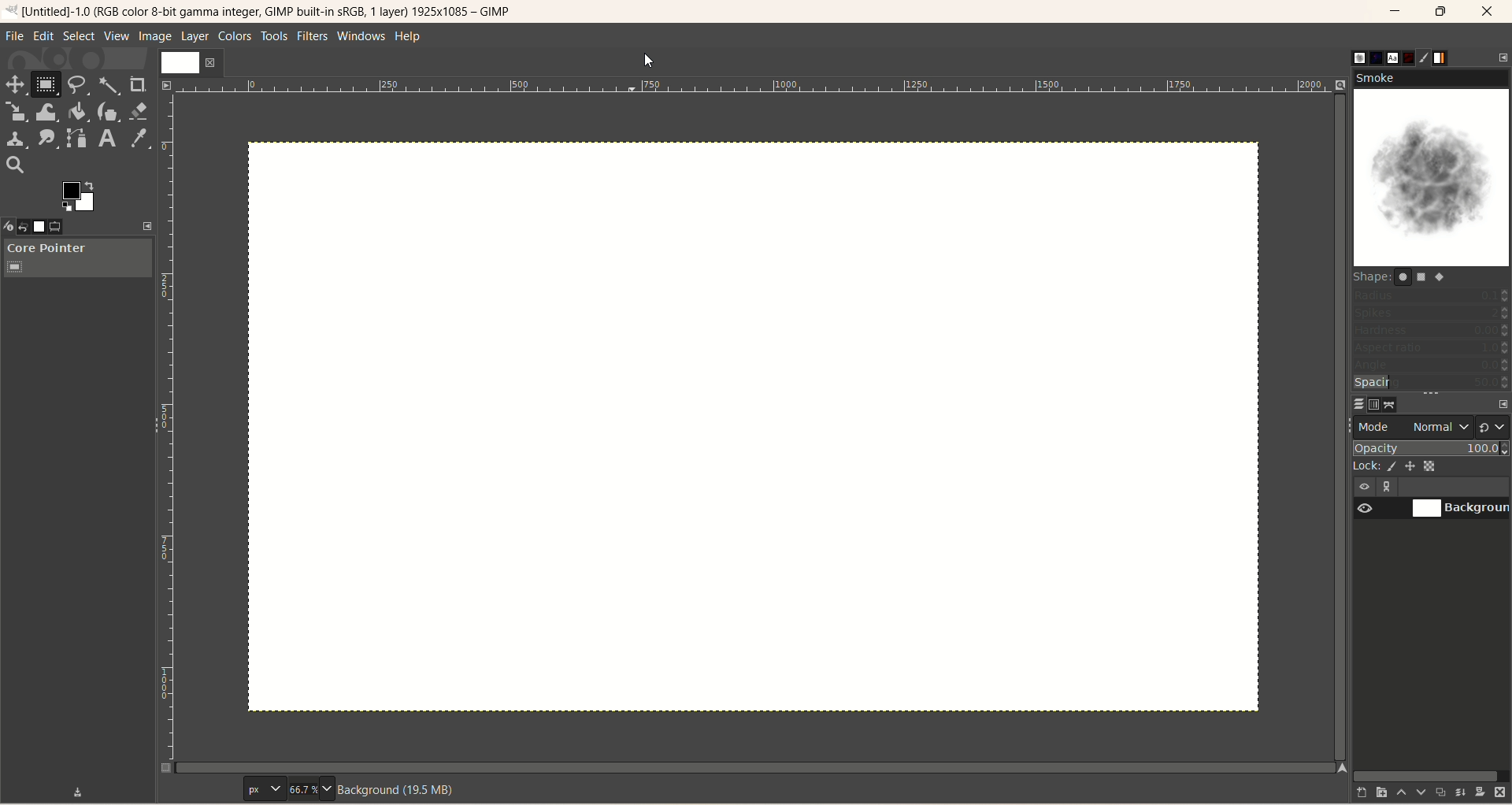 The image size is (1512, 805). Describe the element at coordinates (75, 138) in the screenshot. I see `paths tool` at that location.